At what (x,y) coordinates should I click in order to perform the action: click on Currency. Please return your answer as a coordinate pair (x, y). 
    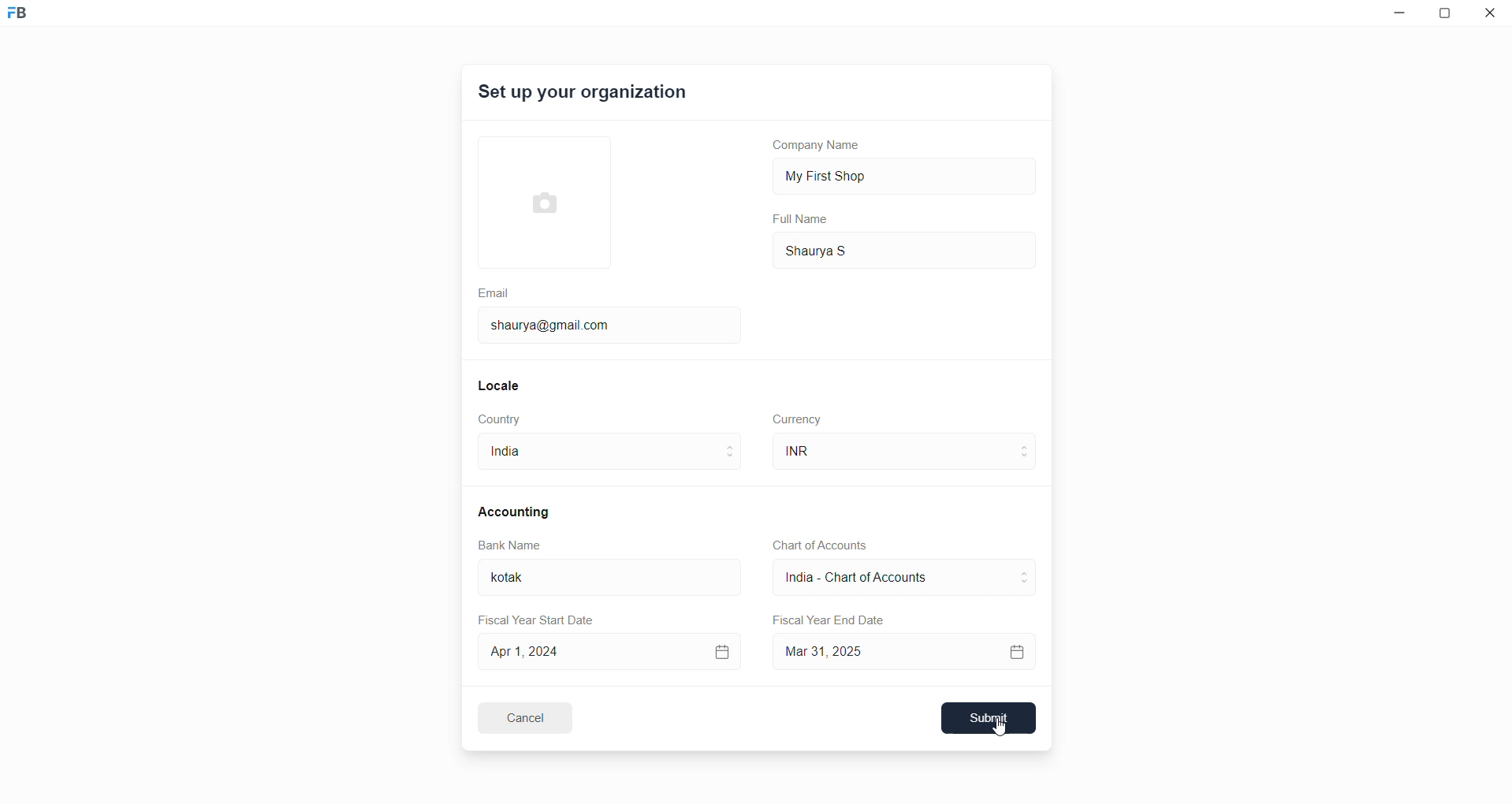
    Looking at the image, I should click on (799, 418).